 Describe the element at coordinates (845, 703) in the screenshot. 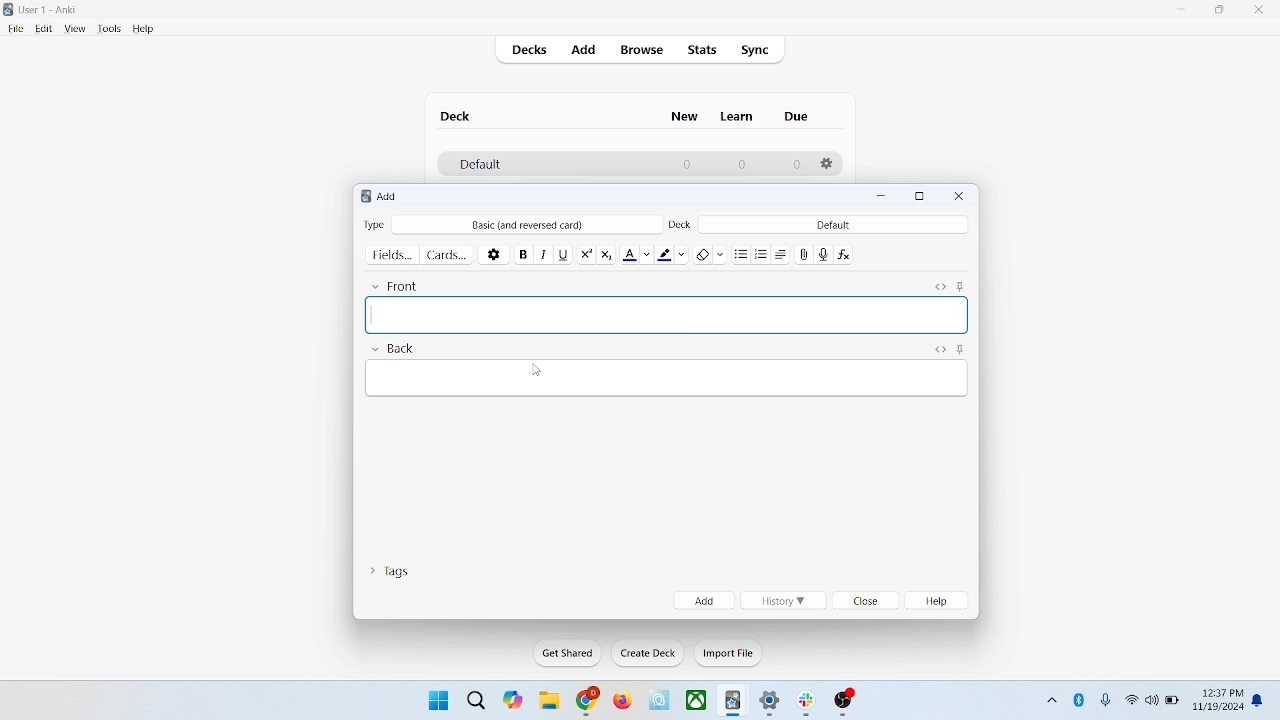

I see `icon` at that location.